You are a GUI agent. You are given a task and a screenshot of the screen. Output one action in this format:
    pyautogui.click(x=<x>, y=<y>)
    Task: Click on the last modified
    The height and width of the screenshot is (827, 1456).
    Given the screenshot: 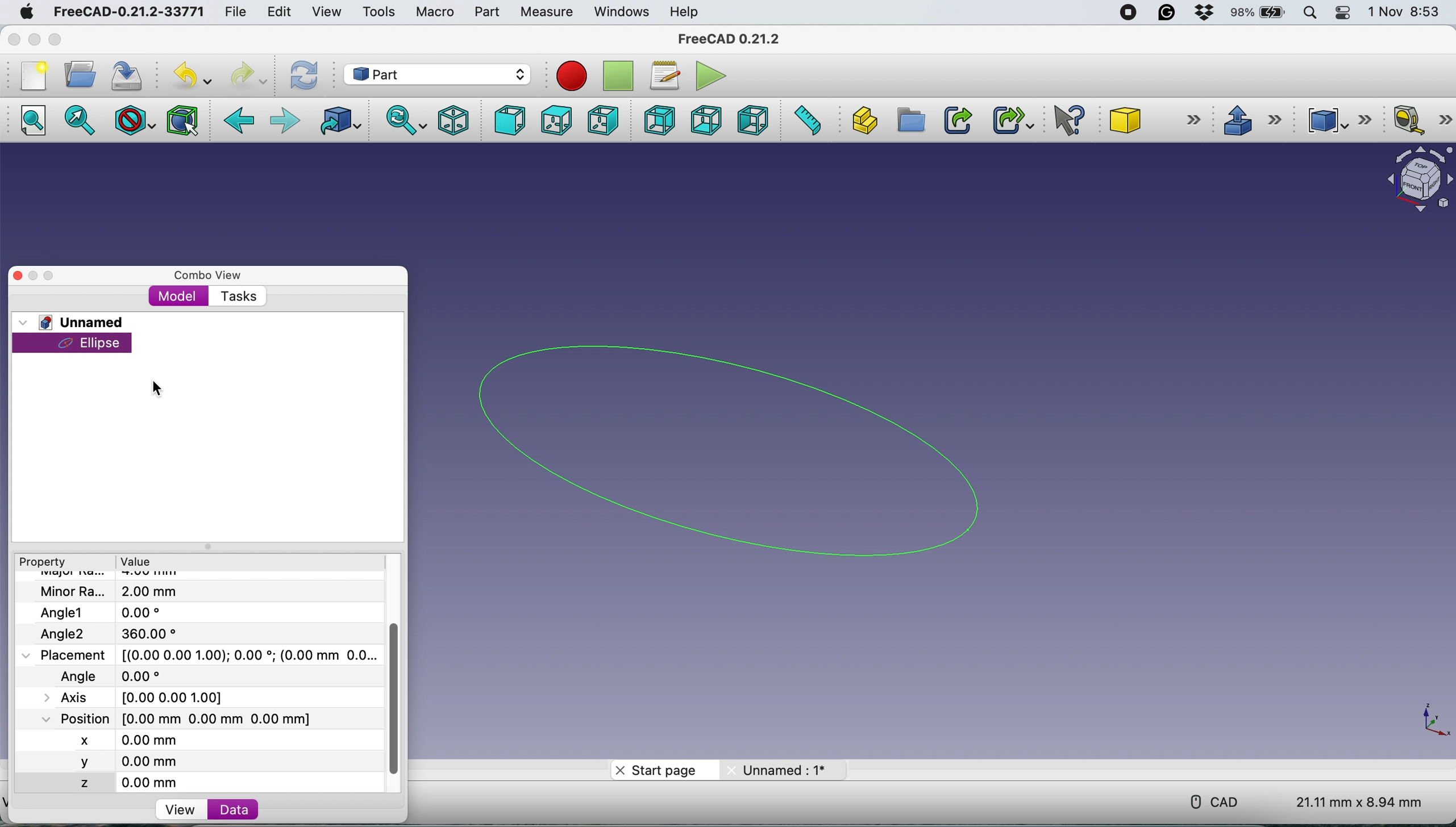 What is the action you would take?
    pyautogui.click(x=128, y=675)
    